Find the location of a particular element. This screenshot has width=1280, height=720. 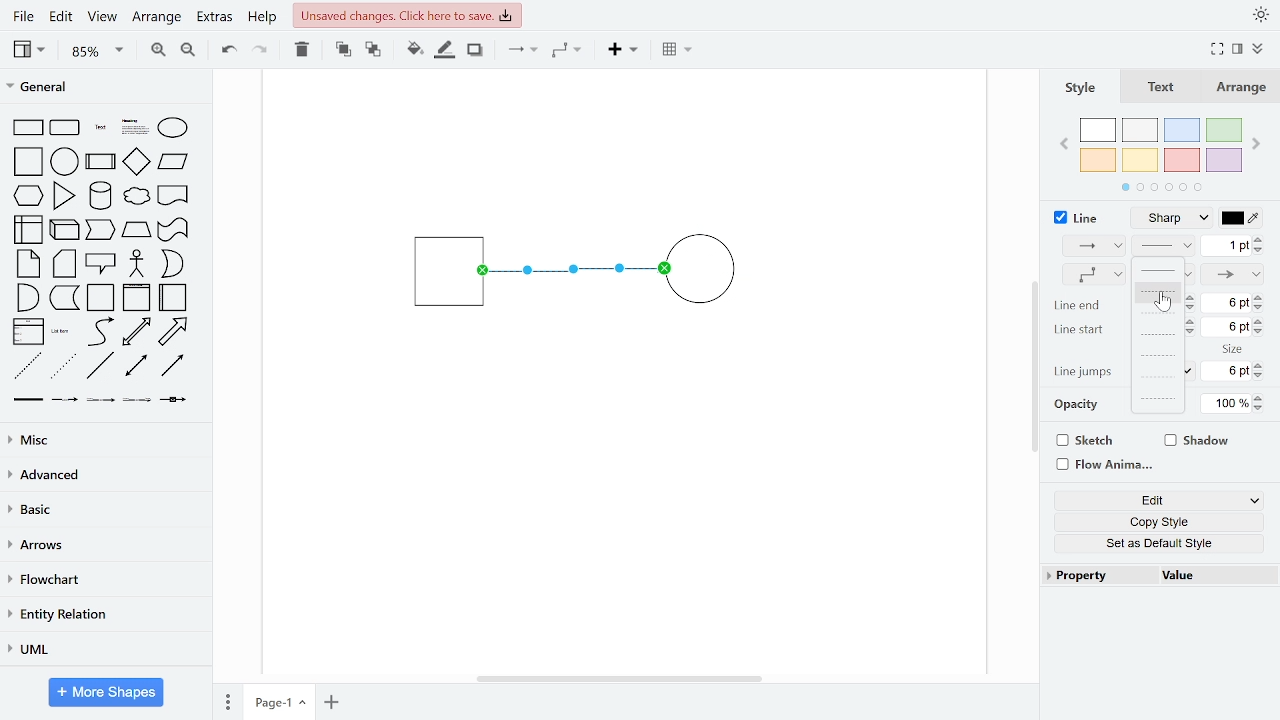

horizontal scrollbar is located at coordinates (622, 678).